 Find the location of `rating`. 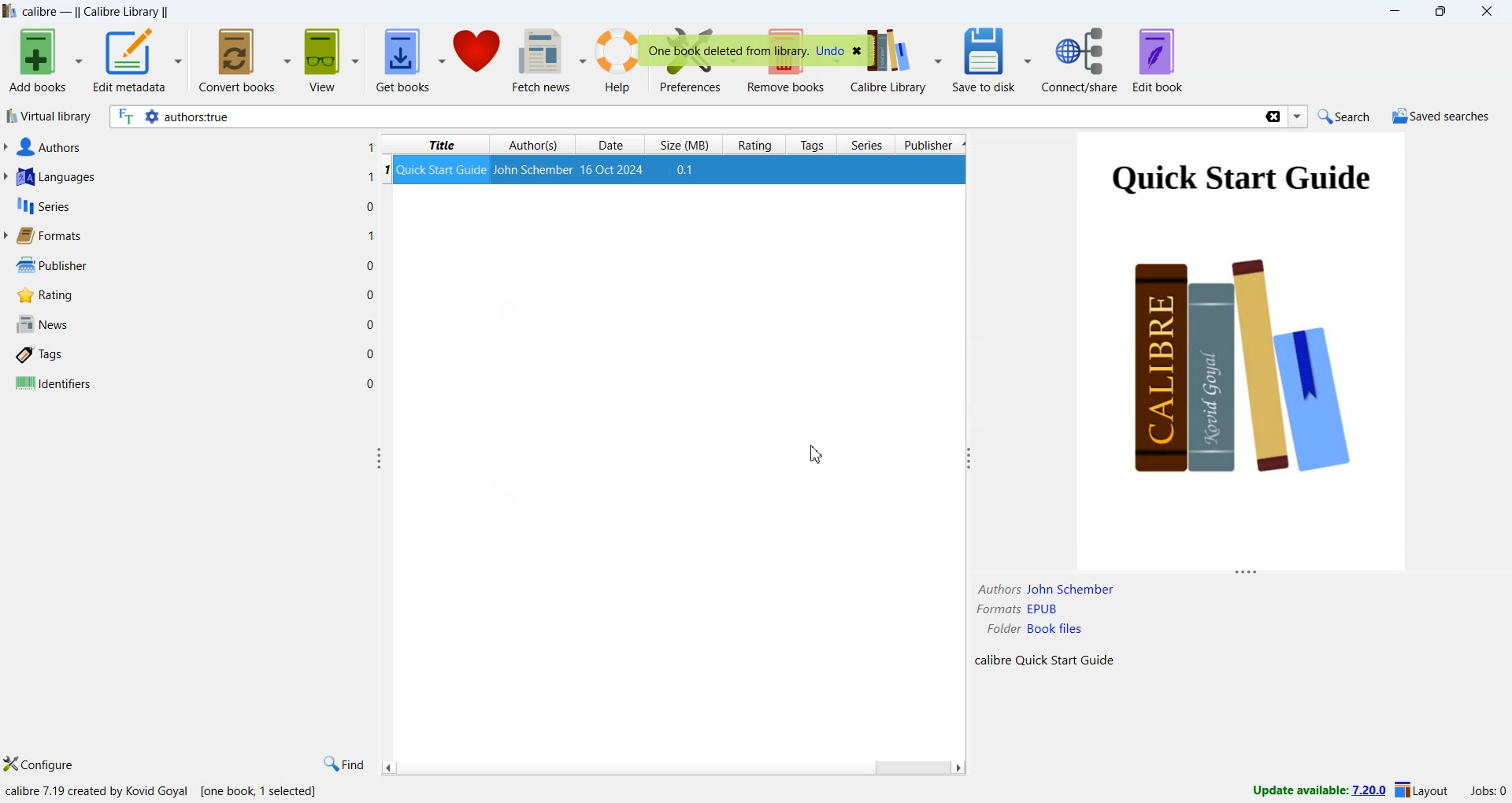

rating is located at coordinates (42, 295).